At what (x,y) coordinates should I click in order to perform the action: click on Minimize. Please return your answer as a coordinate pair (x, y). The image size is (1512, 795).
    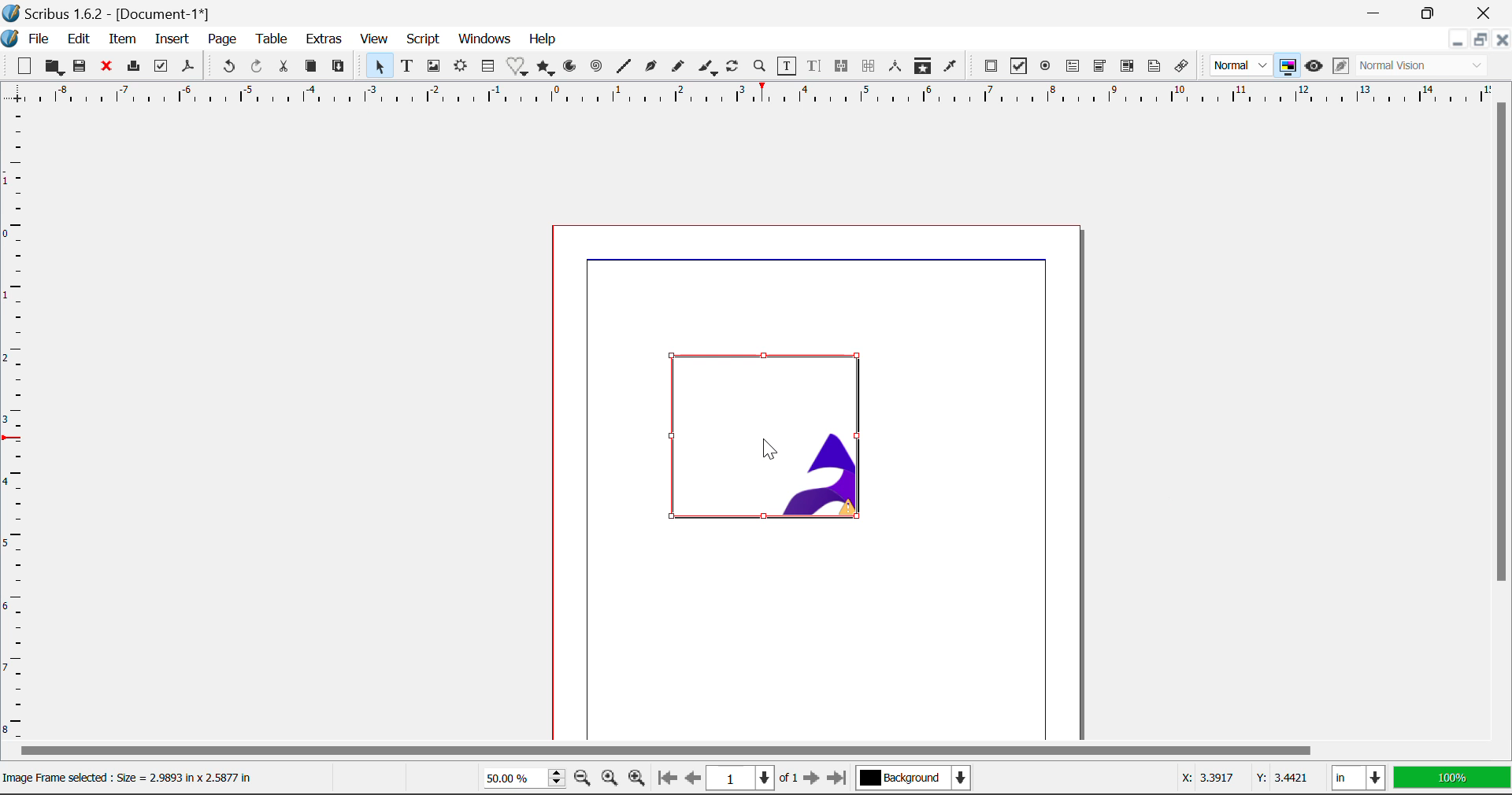
    Looking at the image, I should click on (1482, 39).